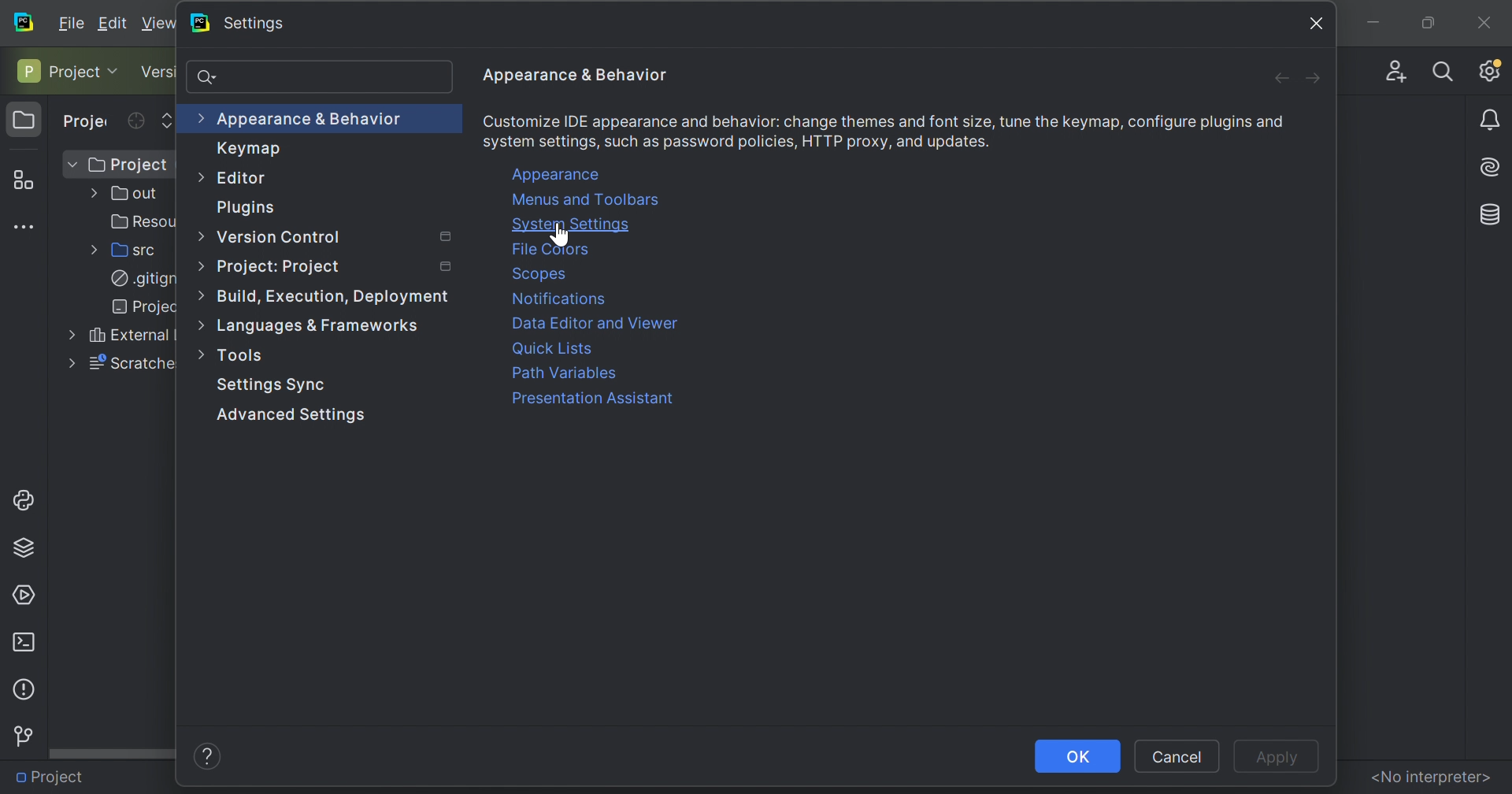 This screenshot has height=794, width=1512. What do you see at coordinates (1314, 78) in the screenshot?
I see `Forward` at bounding box center [1314, 78].